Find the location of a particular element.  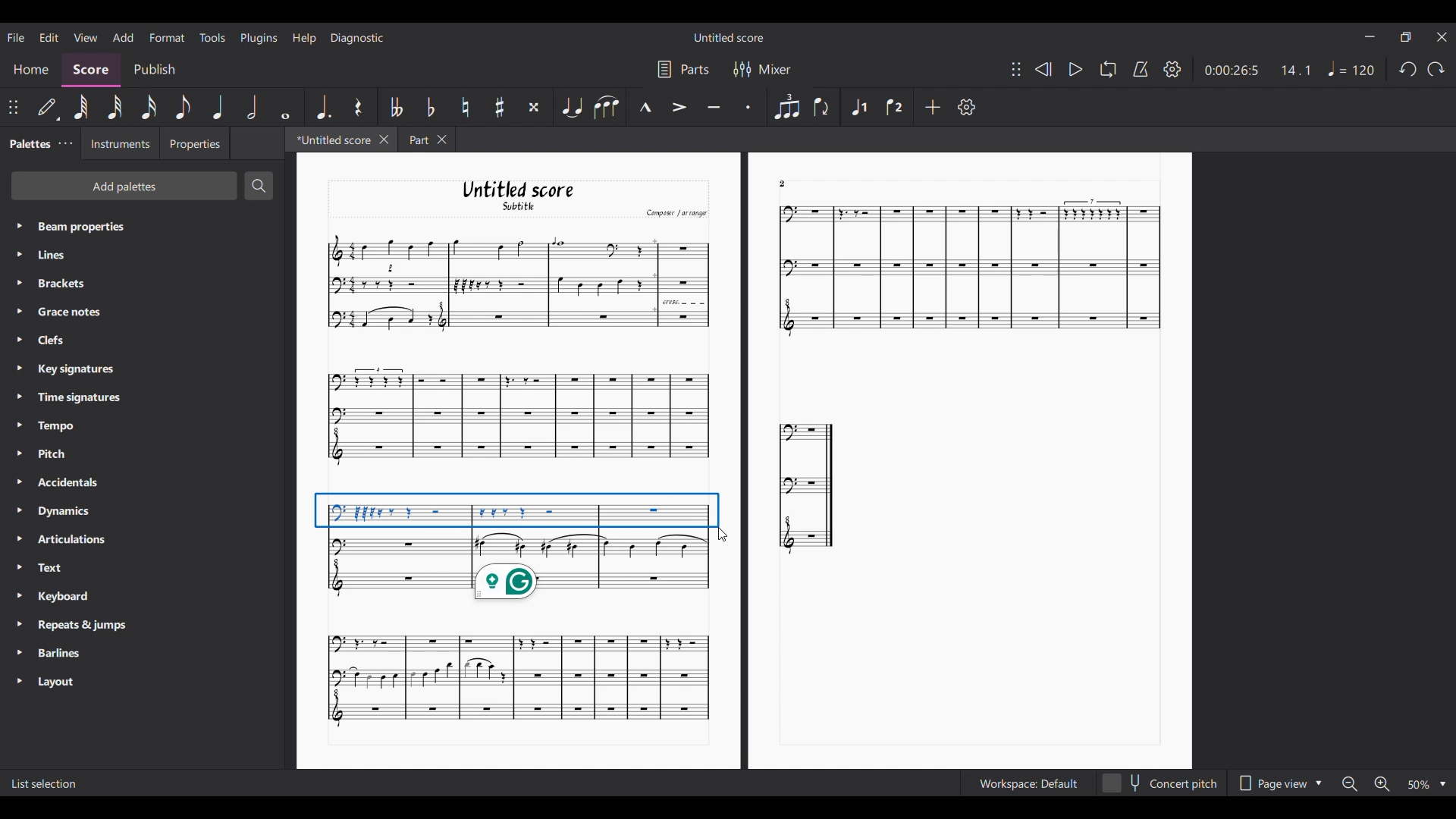

File menu is located at coordinates (17, 37).